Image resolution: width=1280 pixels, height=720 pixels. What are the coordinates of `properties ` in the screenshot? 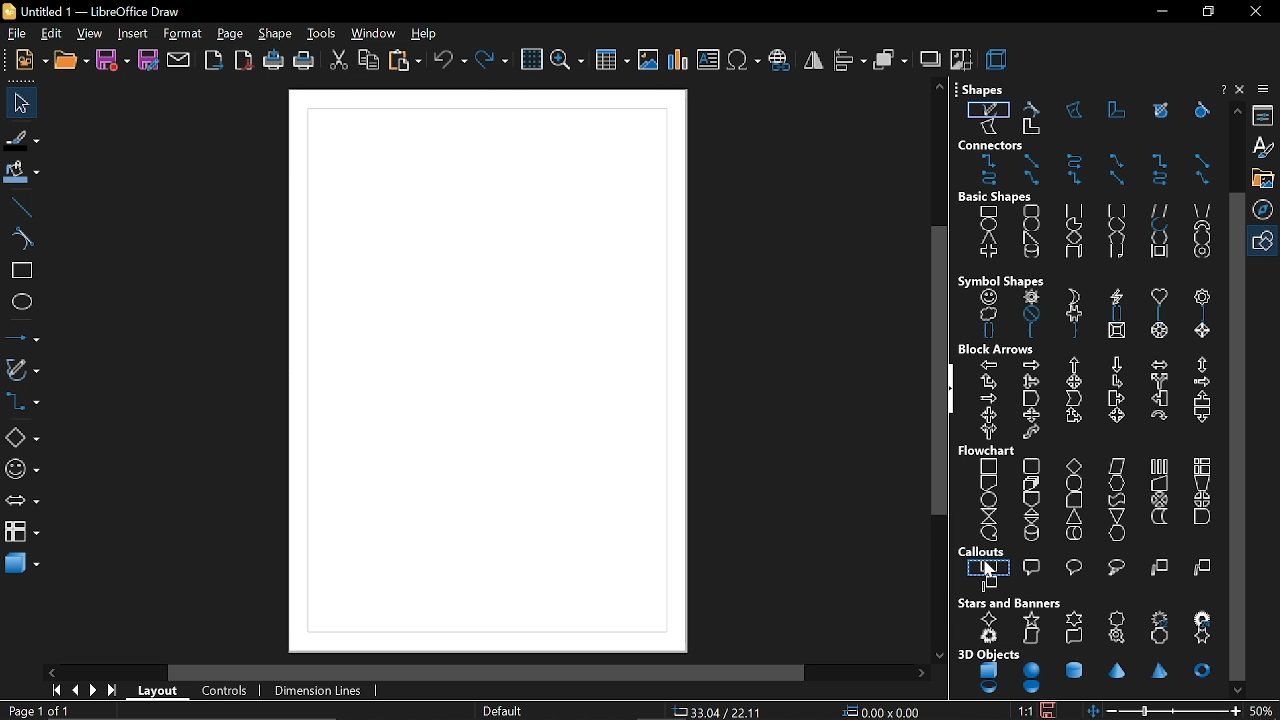 It's located at (1265, 117).